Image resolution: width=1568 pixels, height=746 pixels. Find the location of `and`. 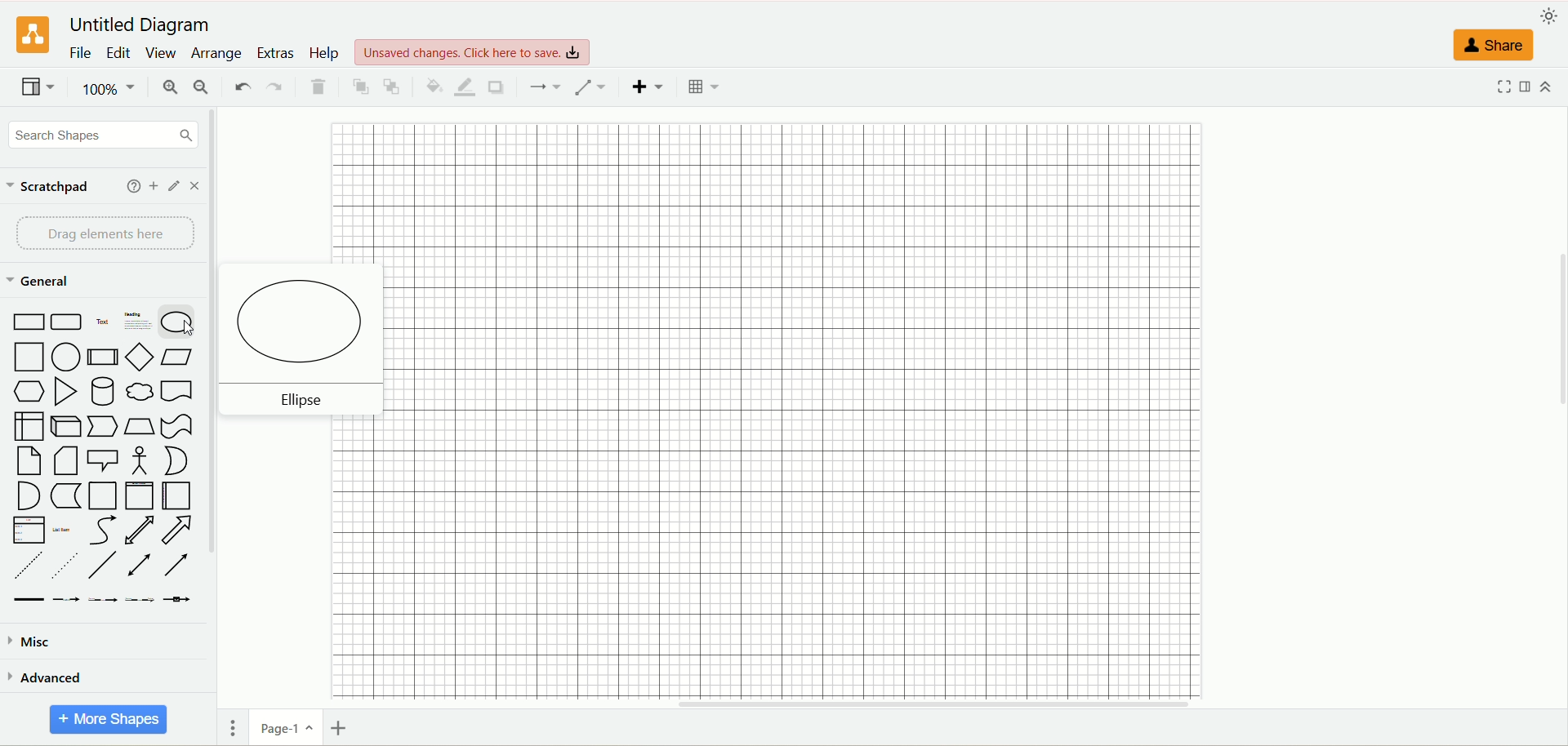

and is located at coordinates (26, 495).